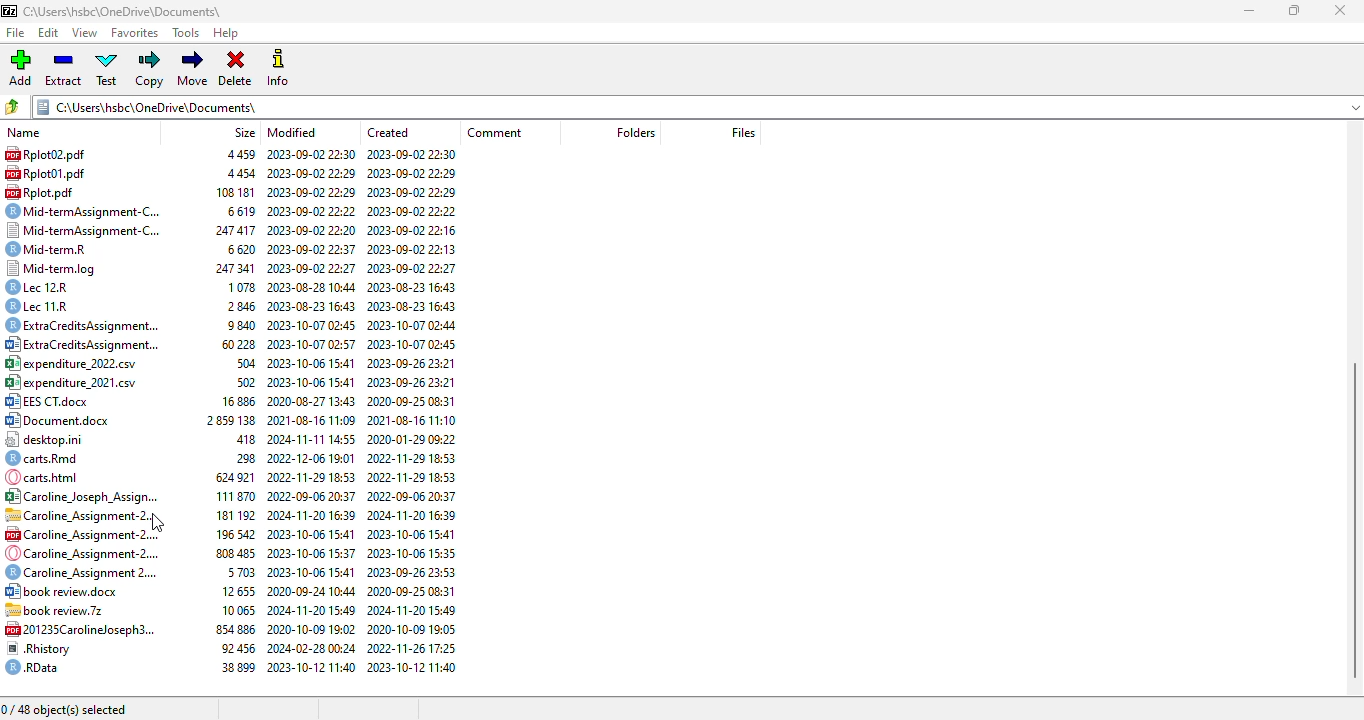 The width and height of the screenshot is (1364, 720). What do you see at coordinates (415, 287) in the screenshot?
I see `2002.08.73 1643` at bounding box center [415, 287].